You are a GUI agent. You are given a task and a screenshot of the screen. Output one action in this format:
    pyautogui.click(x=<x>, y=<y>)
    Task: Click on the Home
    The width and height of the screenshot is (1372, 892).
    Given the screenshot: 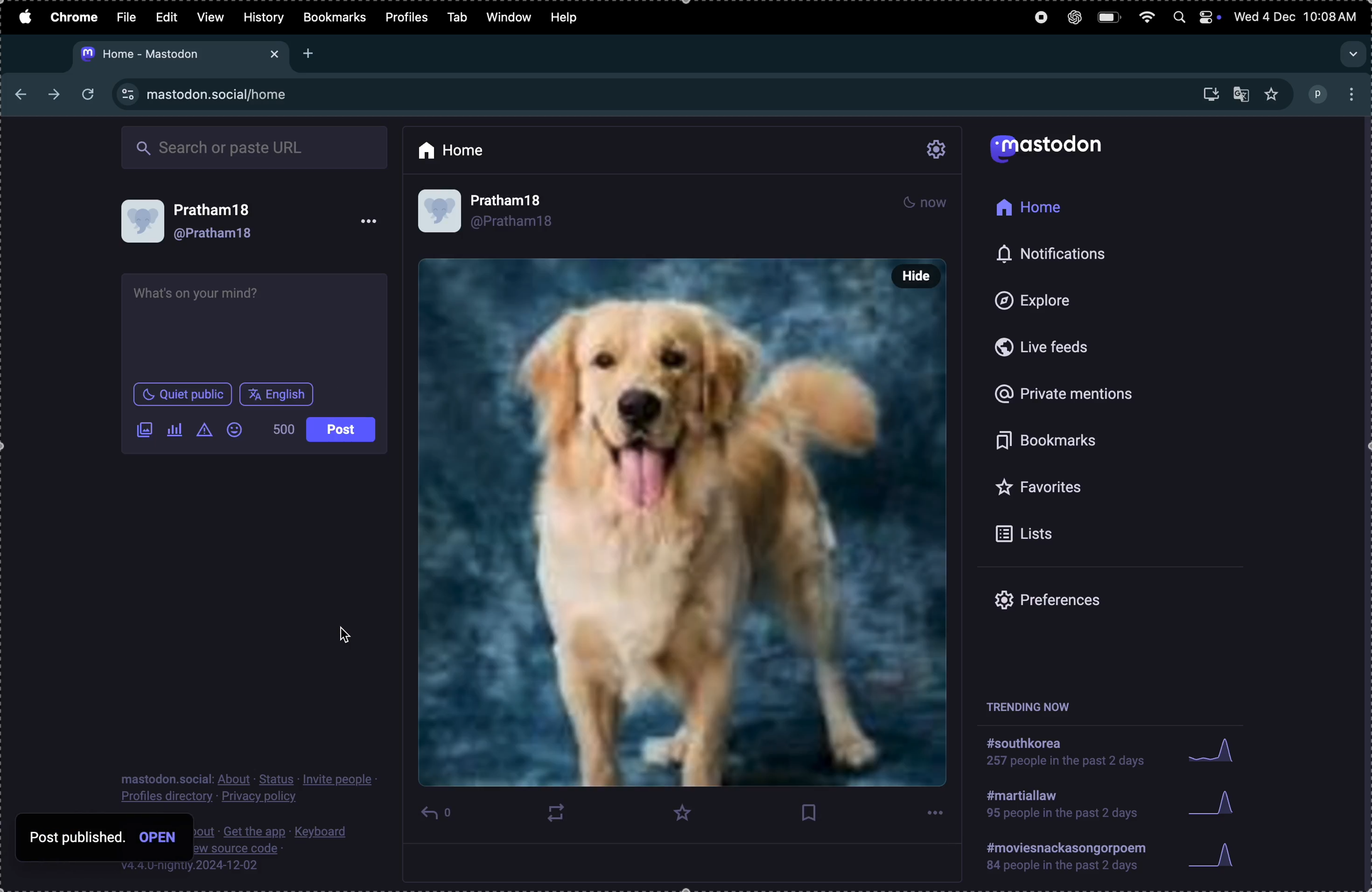 What is the action you would take?
    pyautogui.click(x=1028, y=209)
    